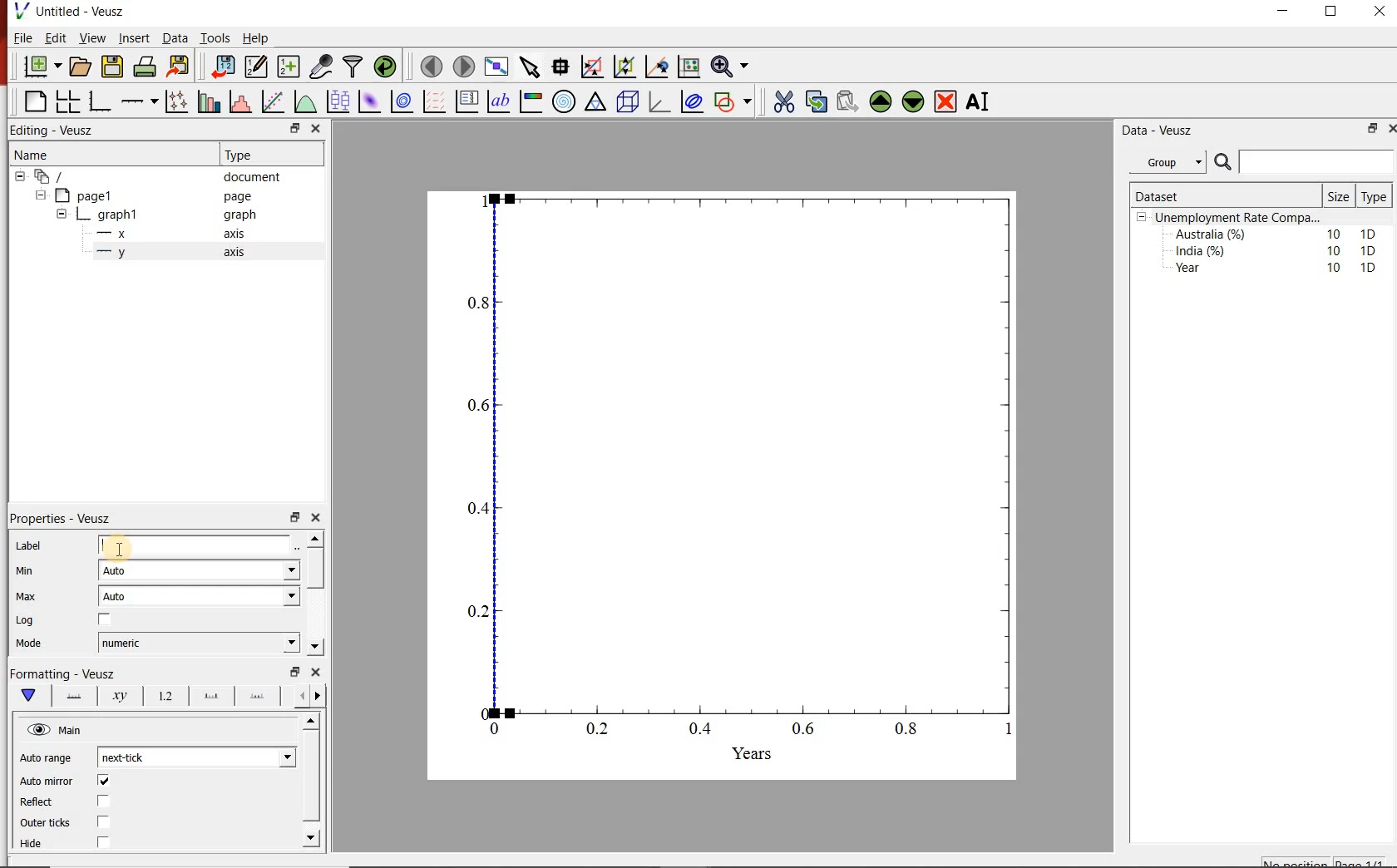 This screenshot has height=868, width=1397. What do you see at coordinates (317, 128) in the screenshot?
I see `close` at bounding box center [317, 128].